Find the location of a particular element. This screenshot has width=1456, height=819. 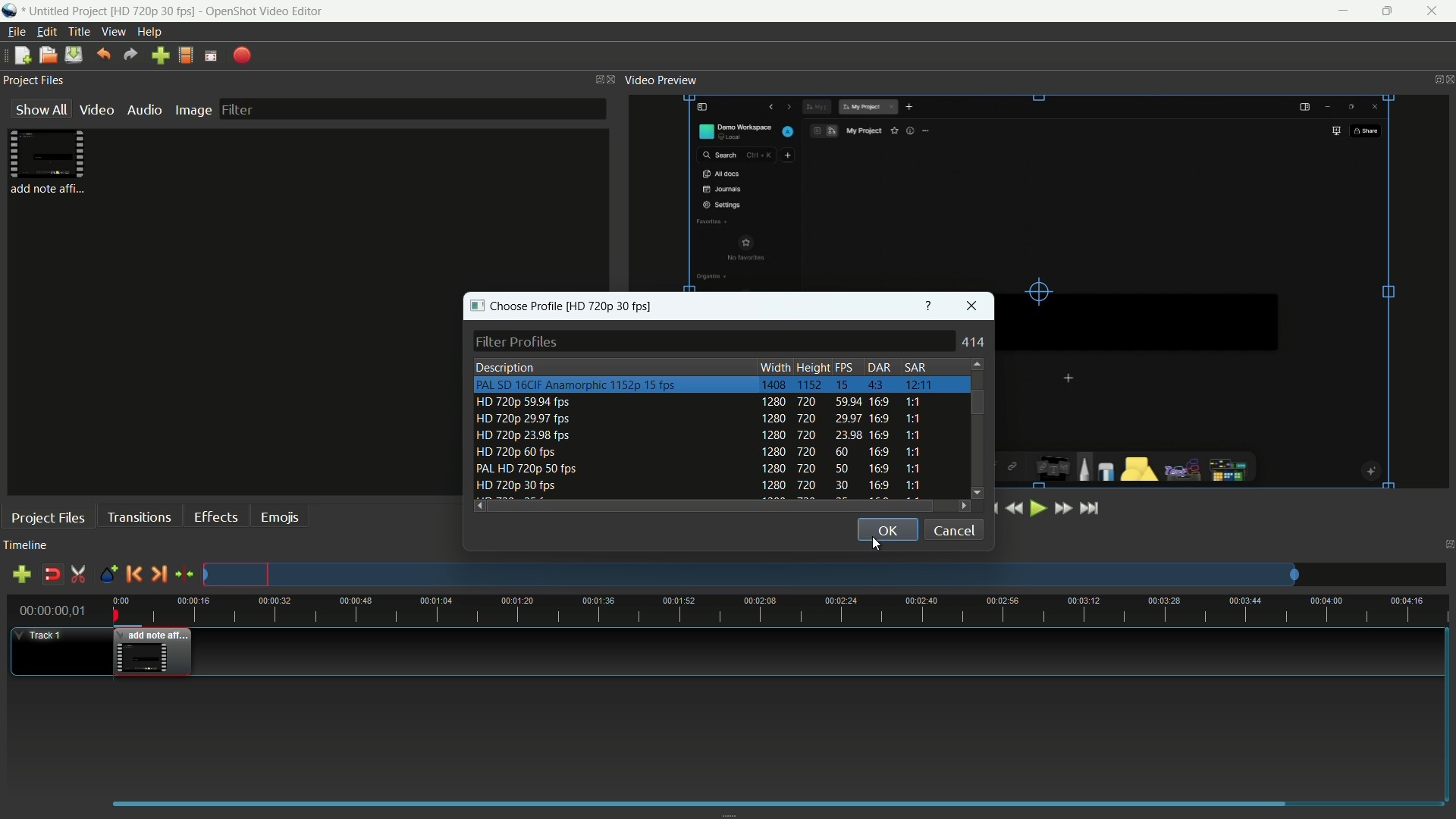

project files is located at coordinates (47, 519).